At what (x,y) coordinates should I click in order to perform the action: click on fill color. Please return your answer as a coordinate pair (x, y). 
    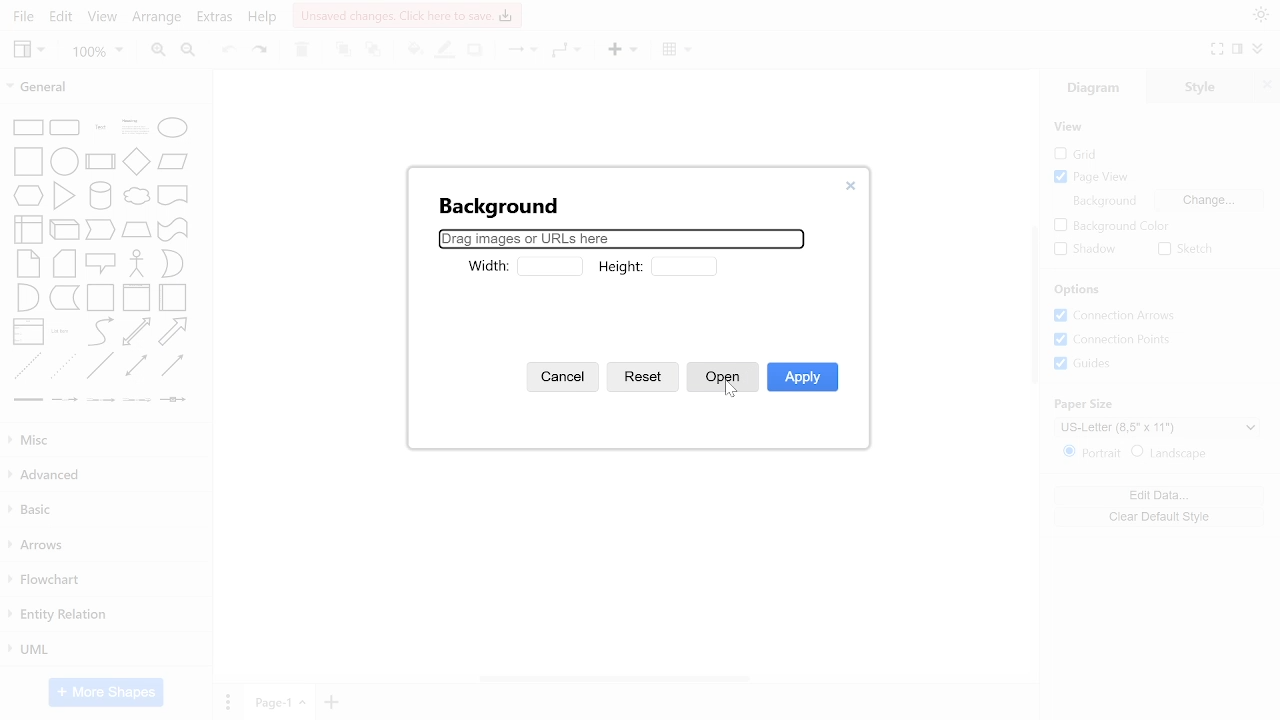
    Looking at the image, I should click on (412, 49).